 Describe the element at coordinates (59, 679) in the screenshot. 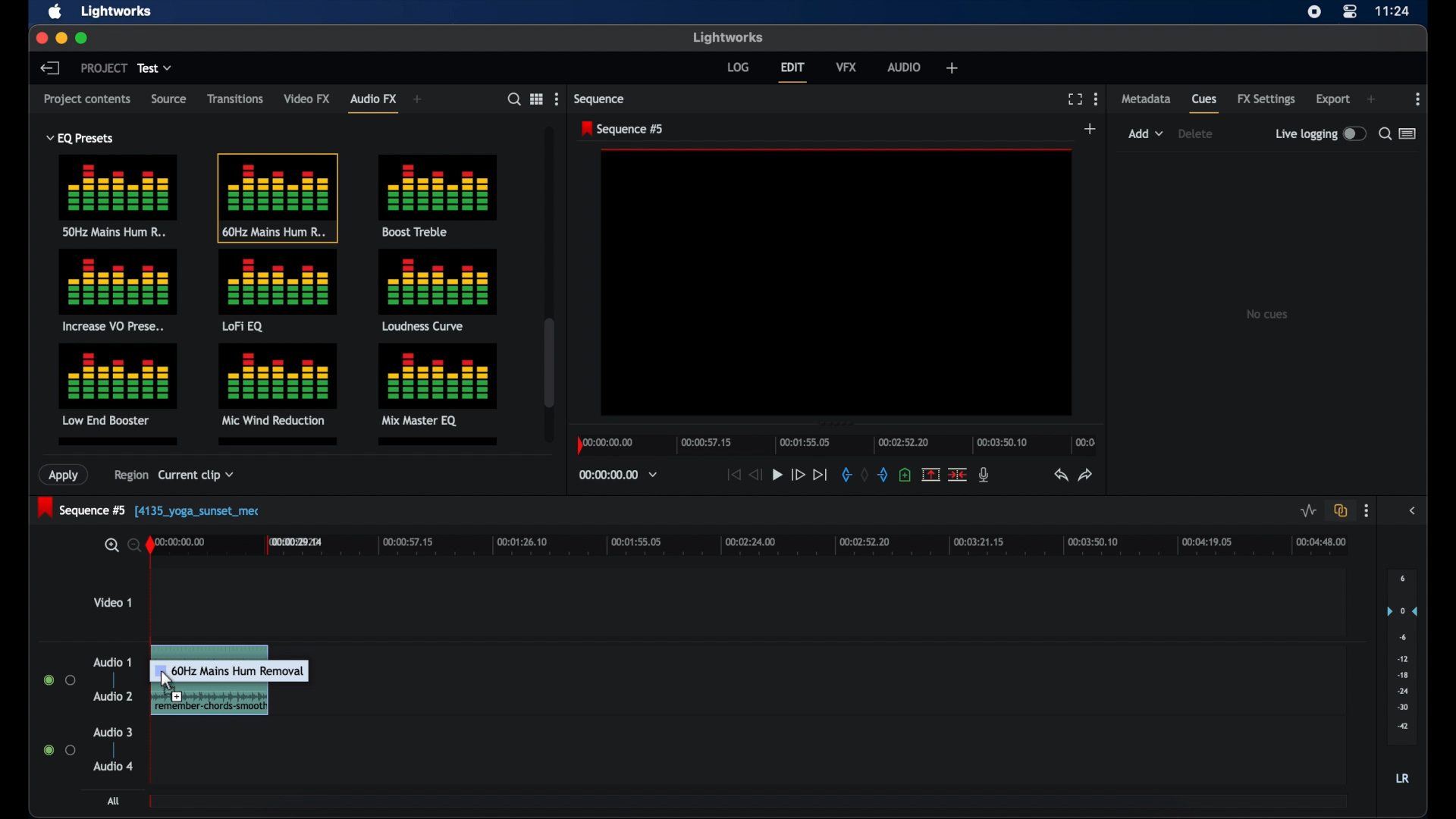

I see `radio buttons` at that location.